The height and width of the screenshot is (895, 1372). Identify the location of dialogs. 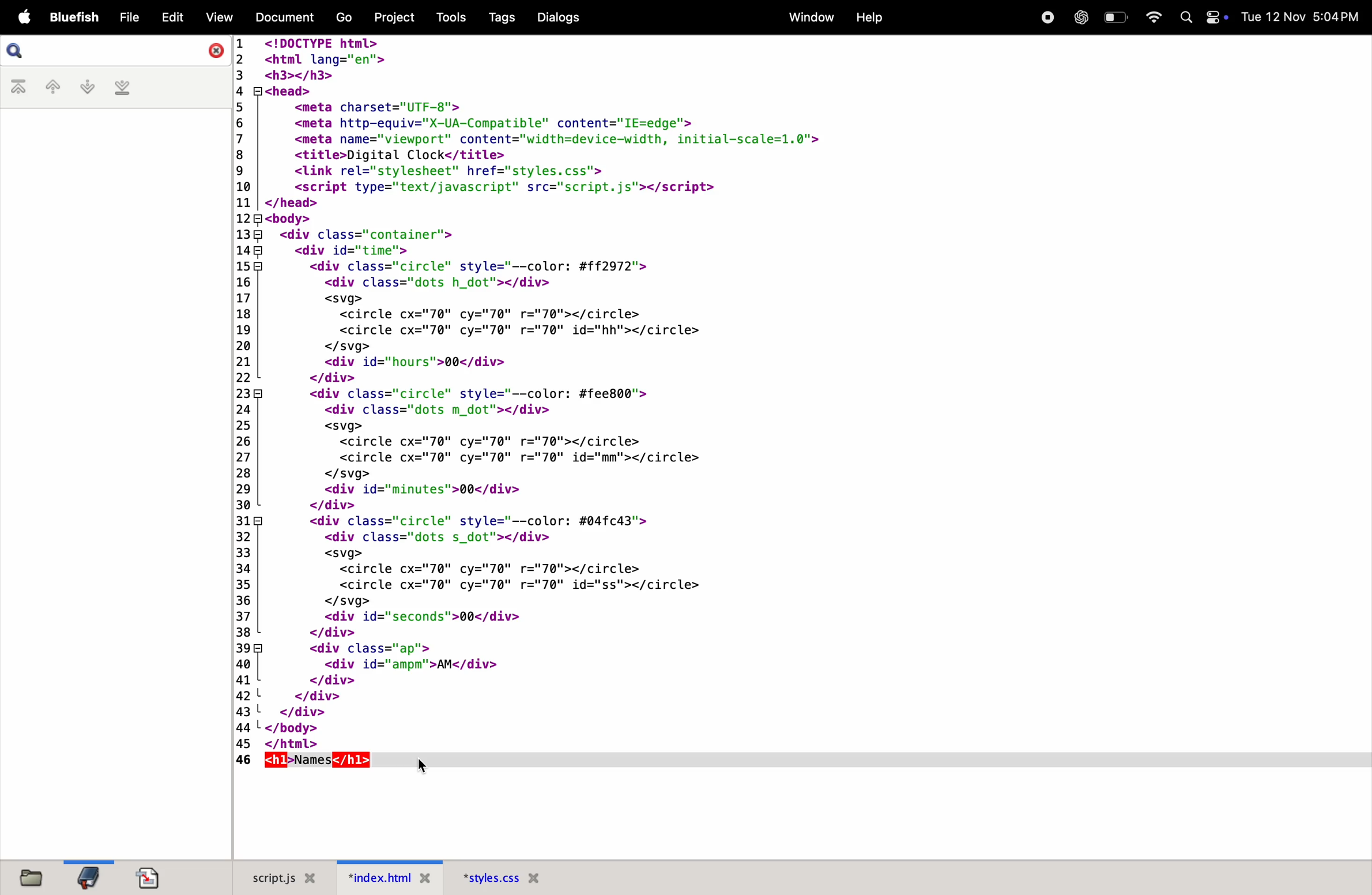
(559, 17).